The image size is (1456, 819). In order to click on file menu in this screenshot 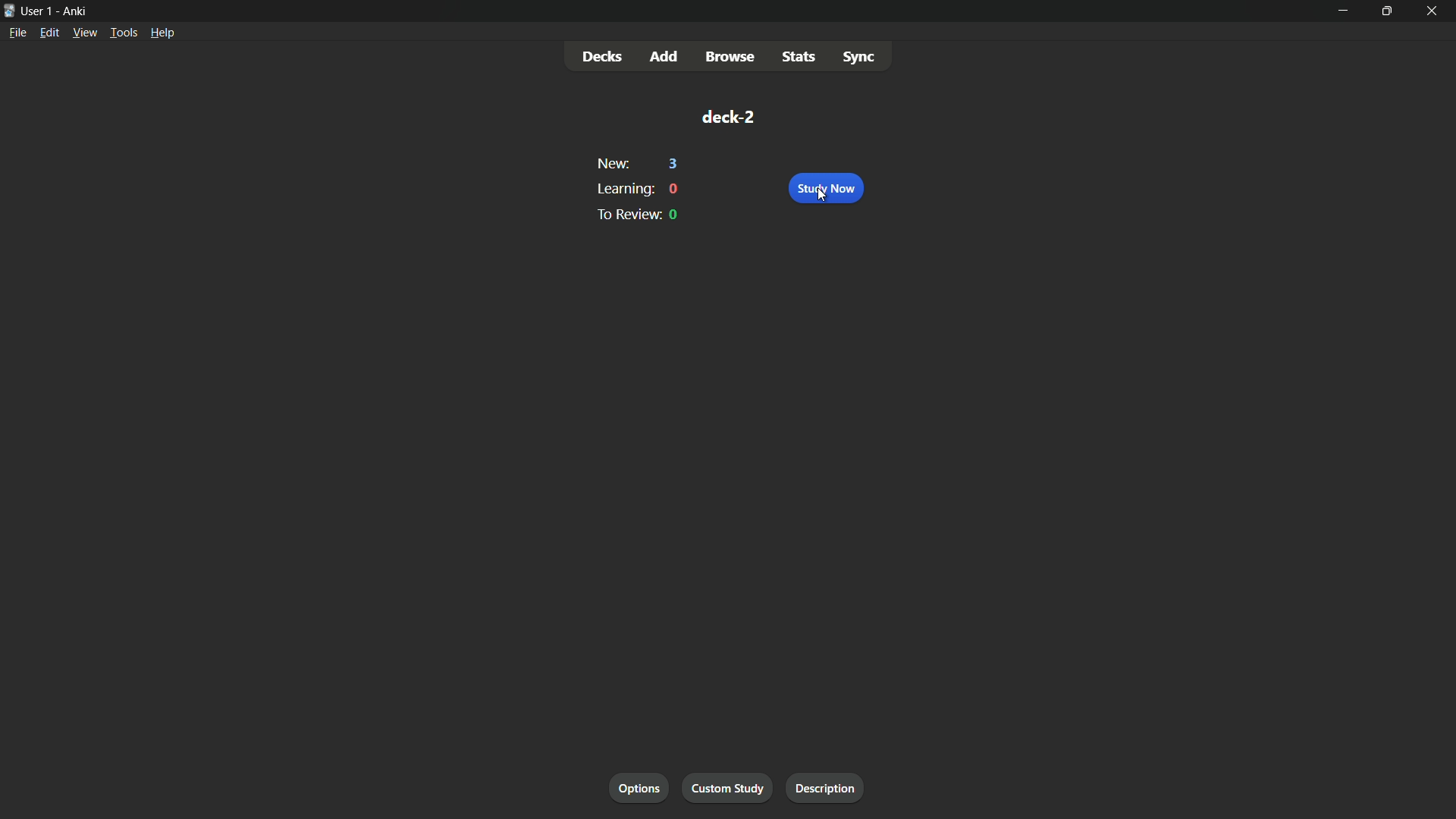, I will do `click(17, 33)`.